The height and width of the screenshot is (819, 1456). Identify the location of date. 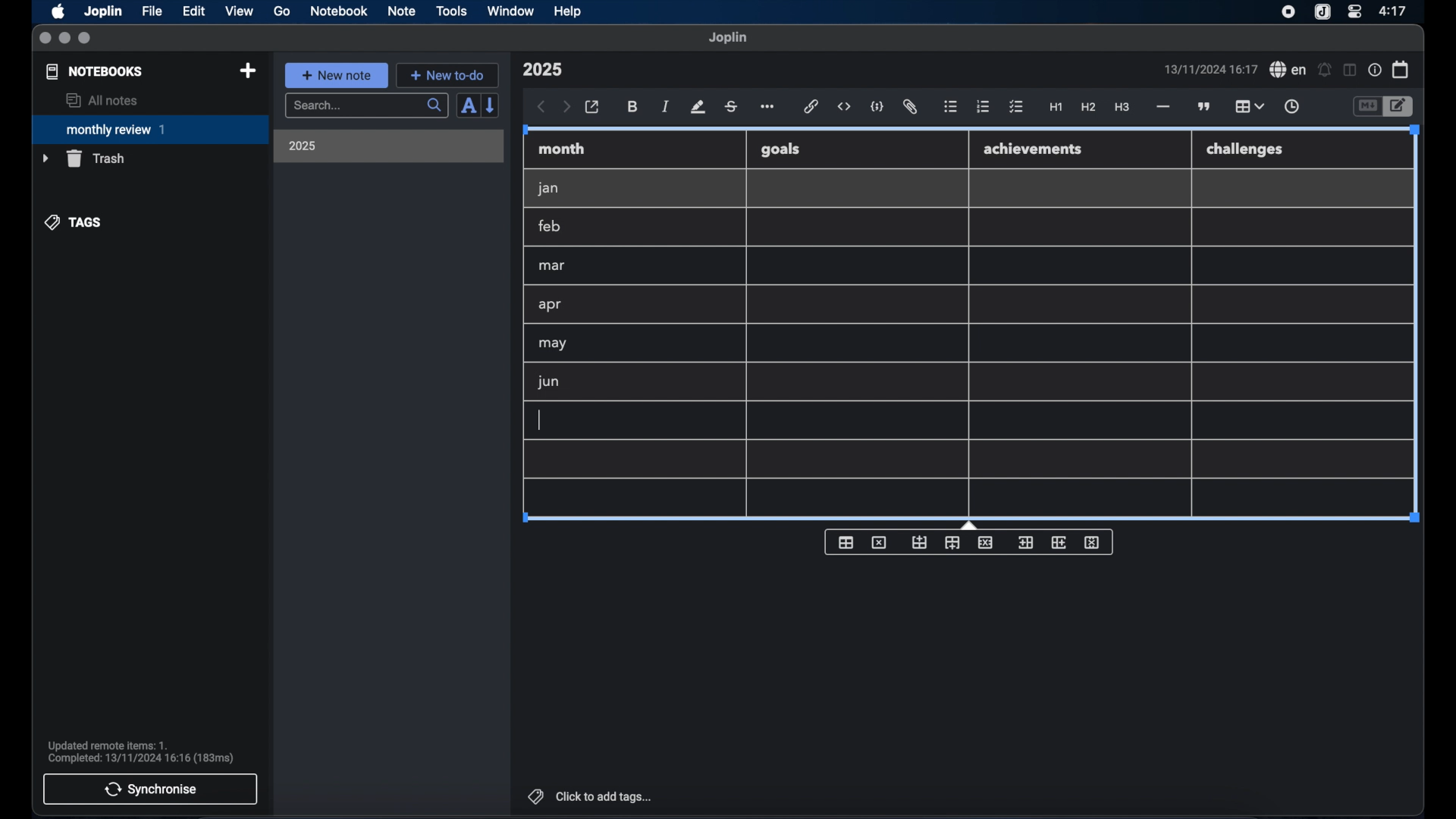
(1210, 69).